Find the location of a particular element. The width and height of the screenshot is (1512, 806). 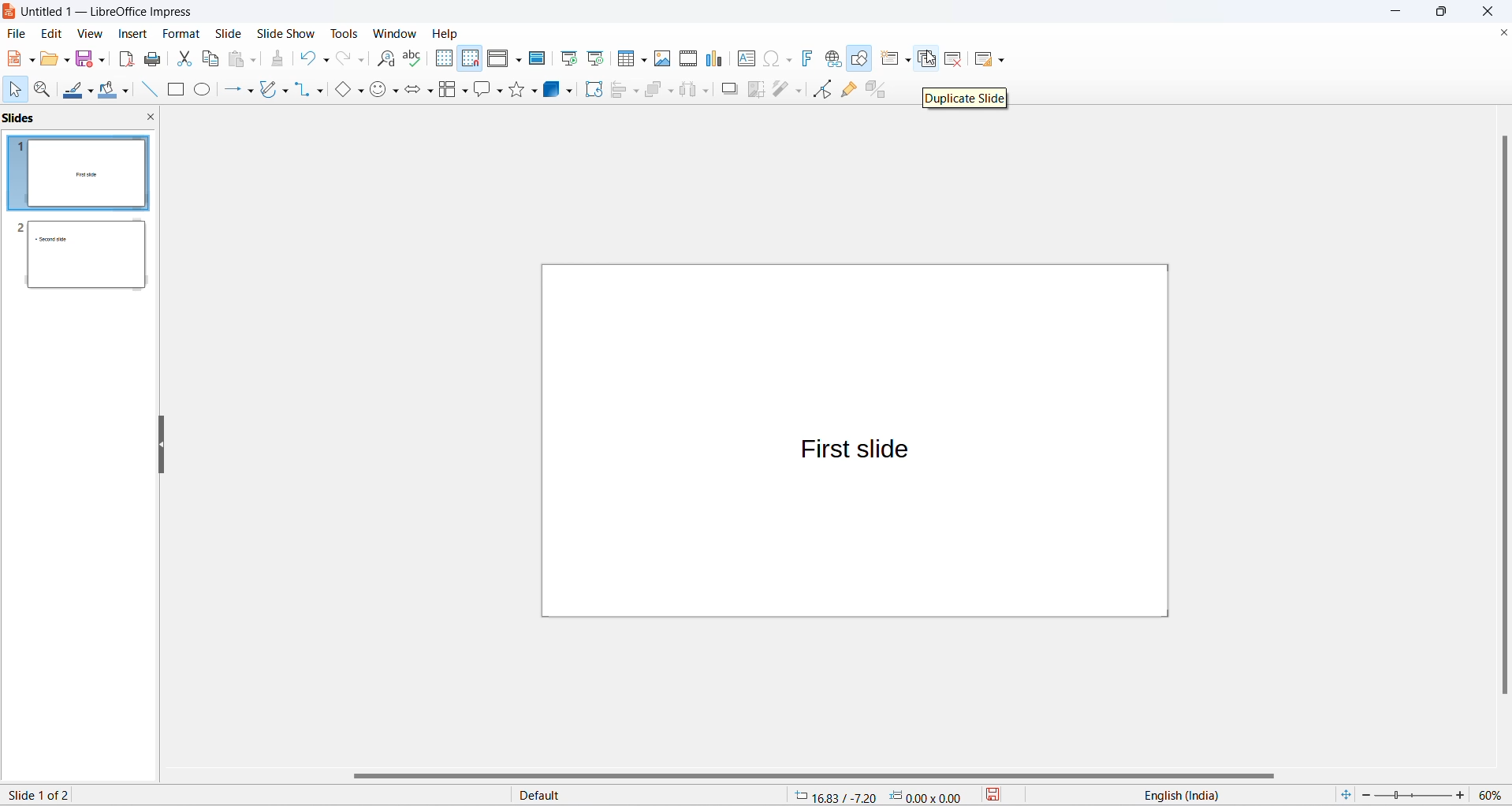

symbol shapes options is located at coordinates (396, 92).